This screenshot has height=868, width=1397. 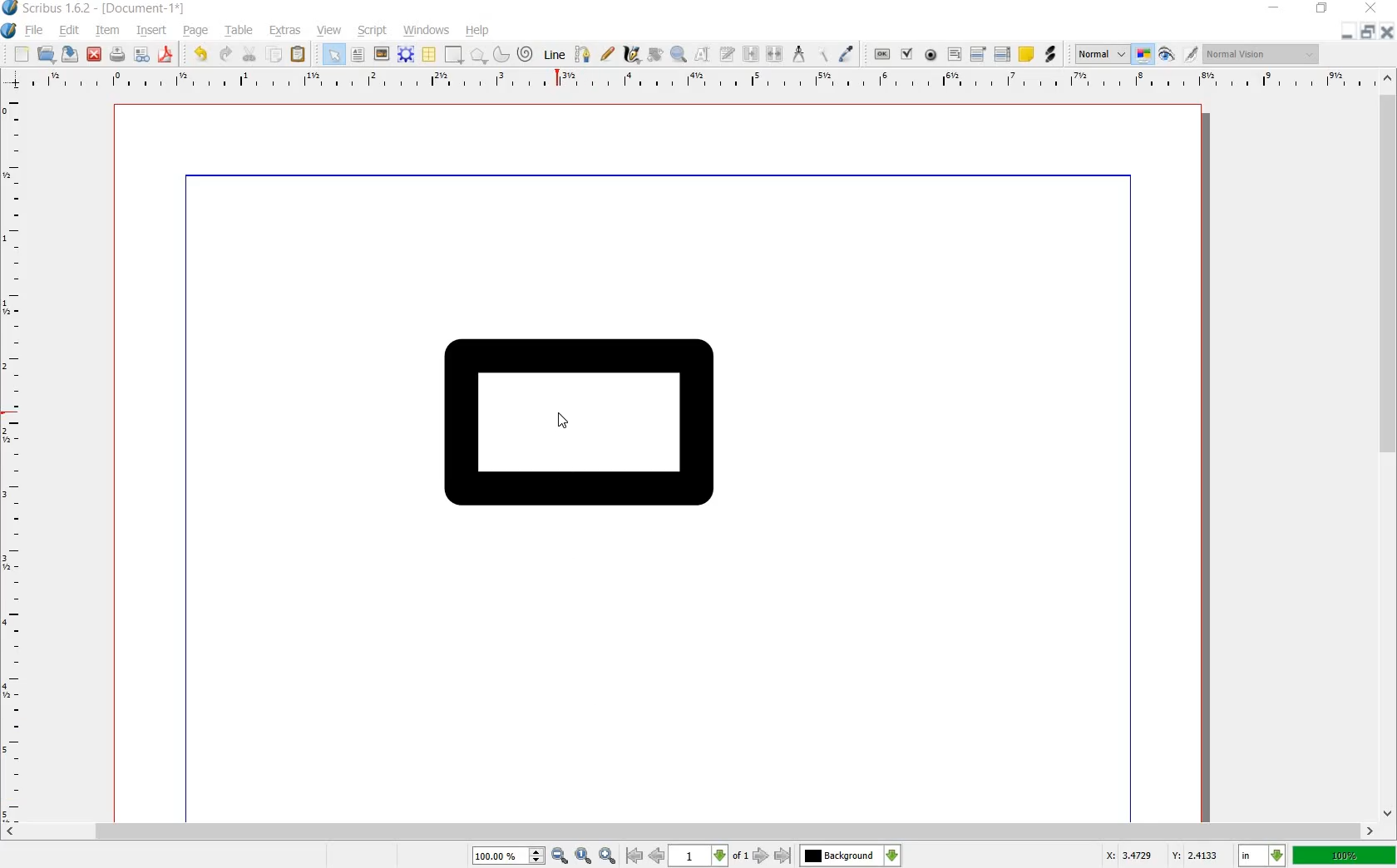 What do you see at coordinates (728, 54) in the screenshot?
I see `edit text with story editor` at bounding box center [728, 54].